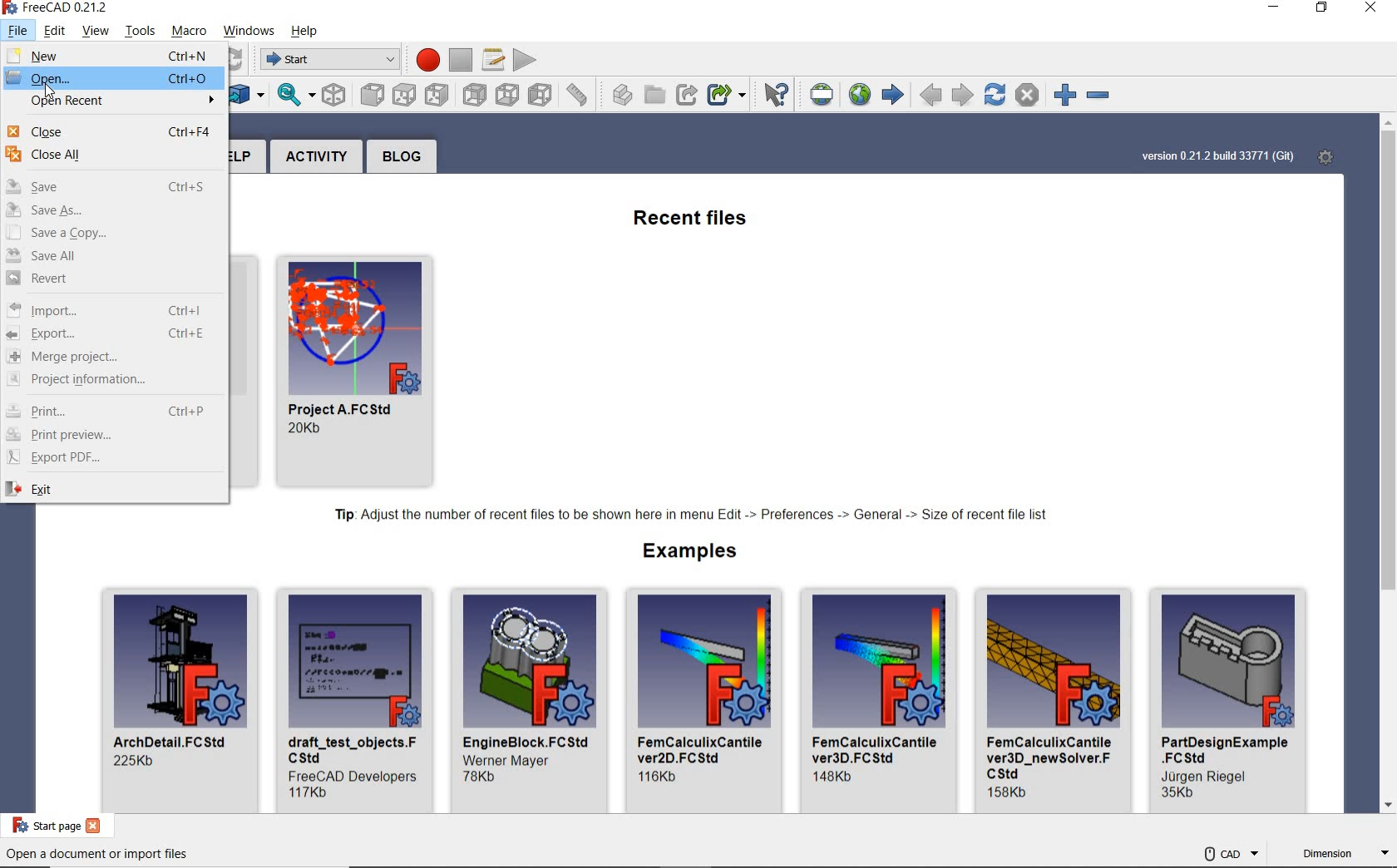  What do you see at coordinates (189, 187) in the screenshot?
I see `Ctrl+S` at bounding box center [189, 187].